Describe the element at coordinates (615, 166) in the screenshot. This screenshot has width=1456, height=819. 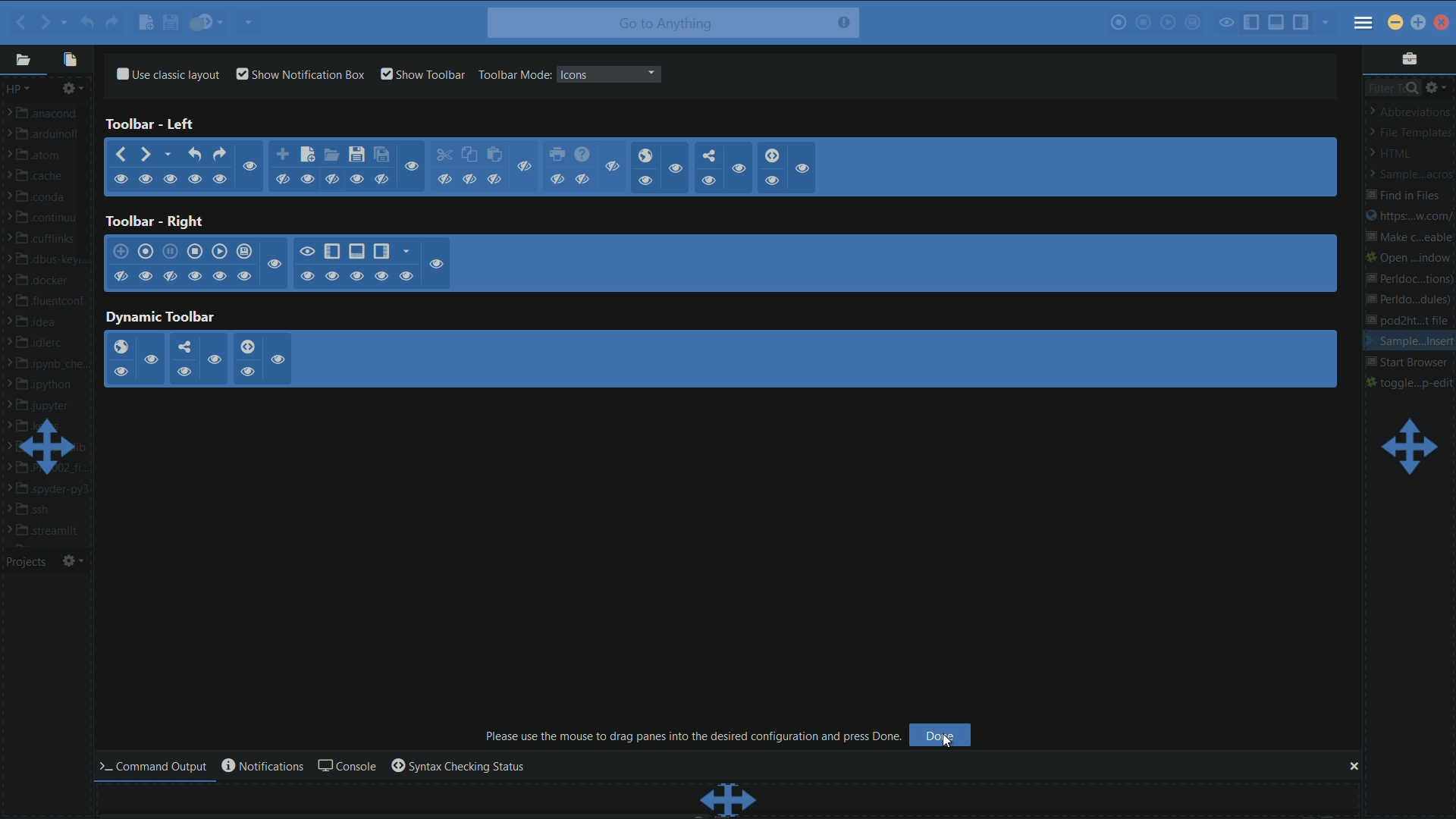
I see `show/hide` at that location.